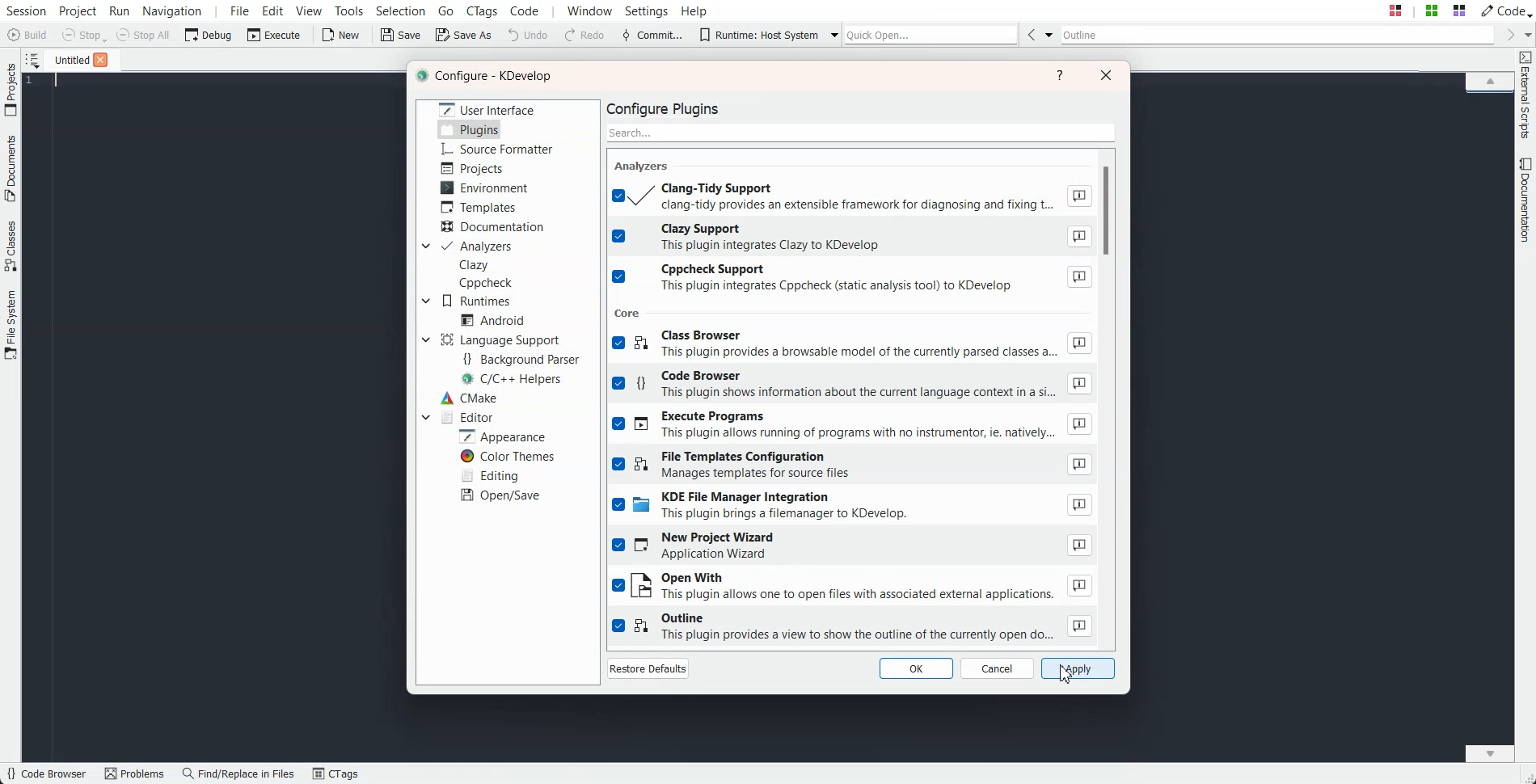  I want to click on Cppcheck Support, so click(853, 279).